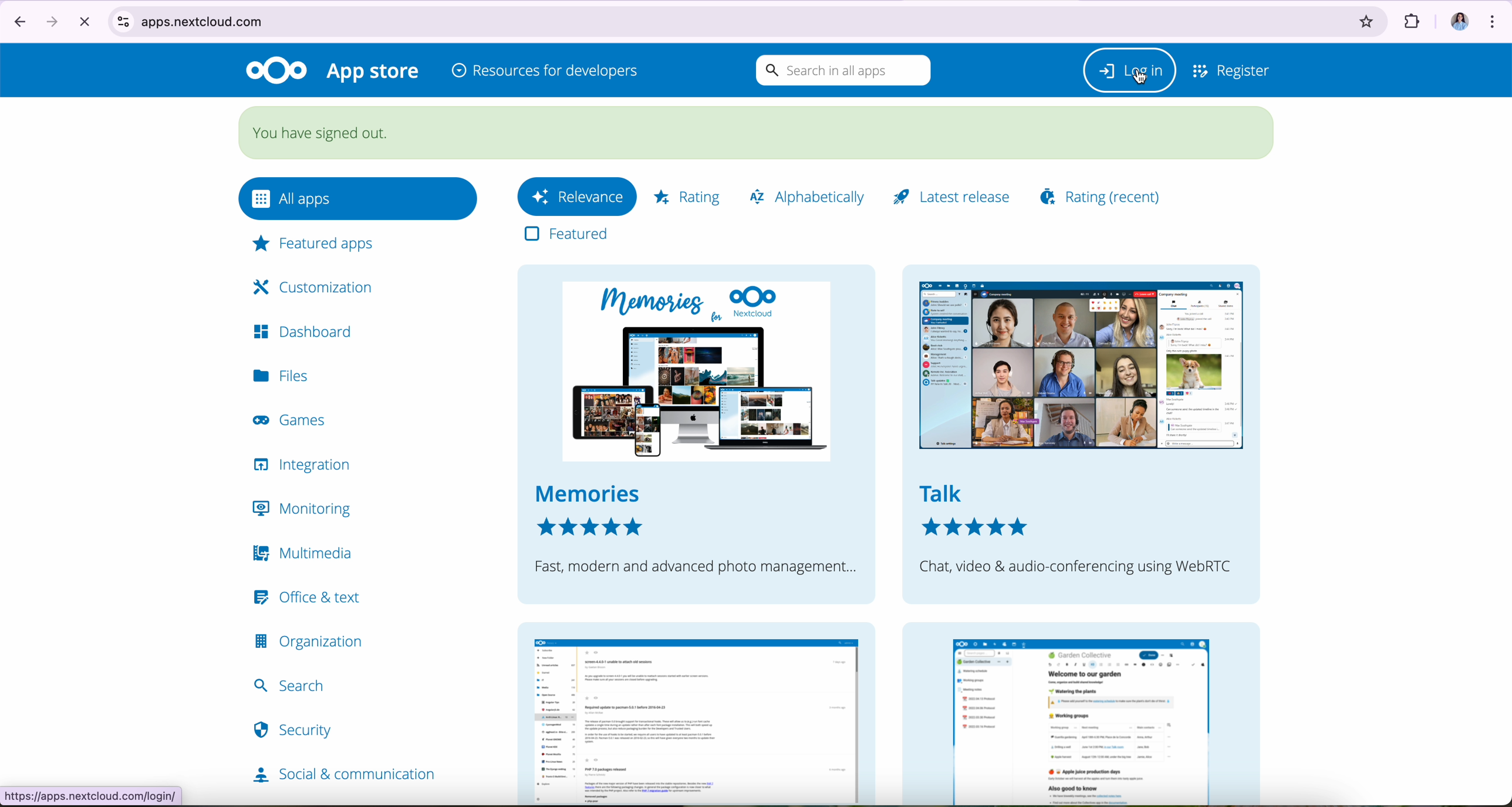 The image size is (1512, 807). I want to click on organization, so click(307, 641).